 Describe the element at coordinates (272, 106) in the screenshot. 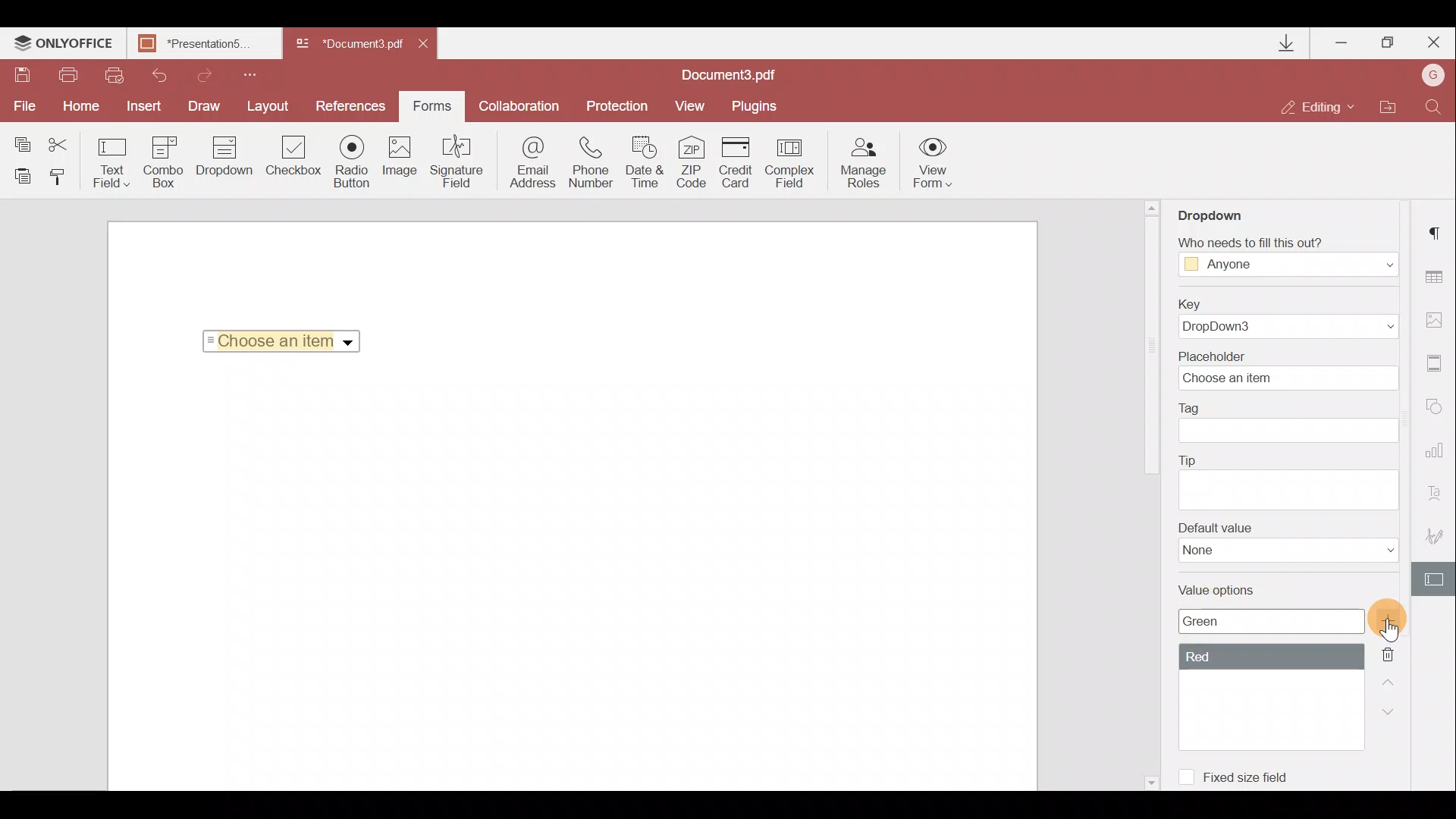

I see `Layout` at that location.